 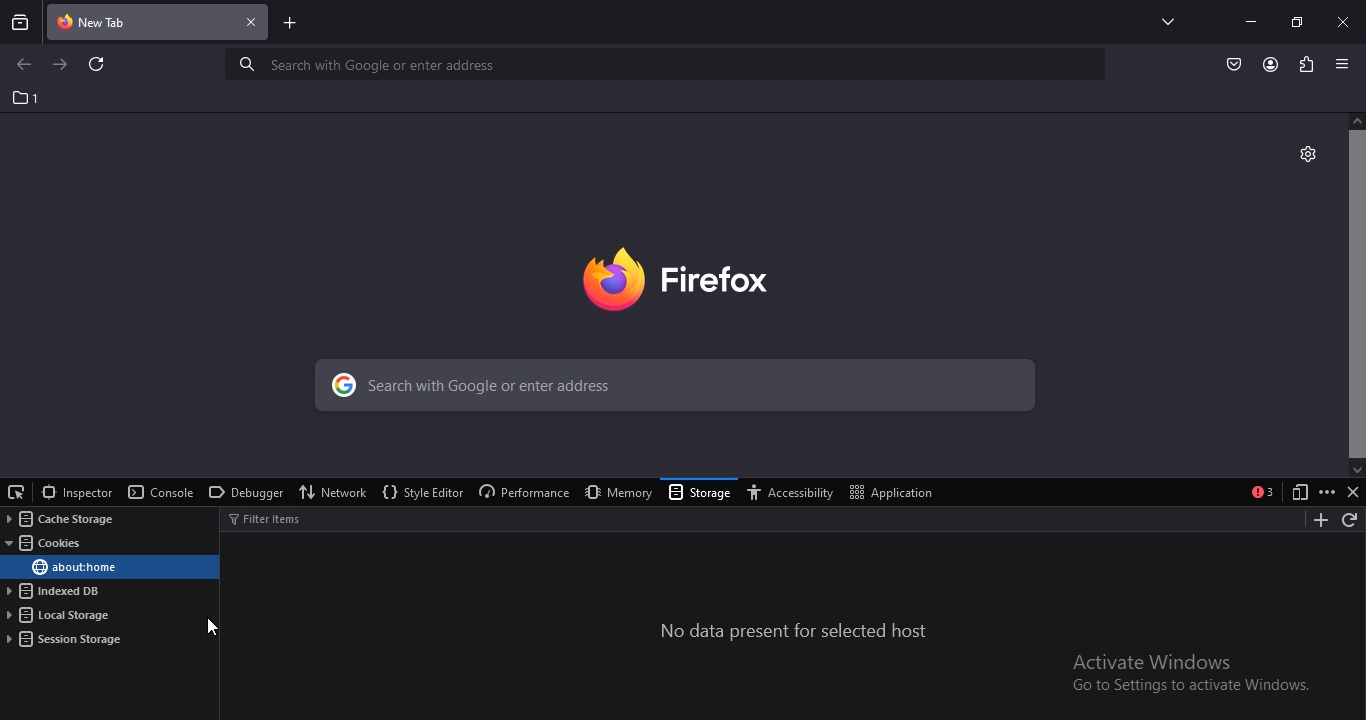 I want to click on no data present for selected host, so click(x=795, y=632).